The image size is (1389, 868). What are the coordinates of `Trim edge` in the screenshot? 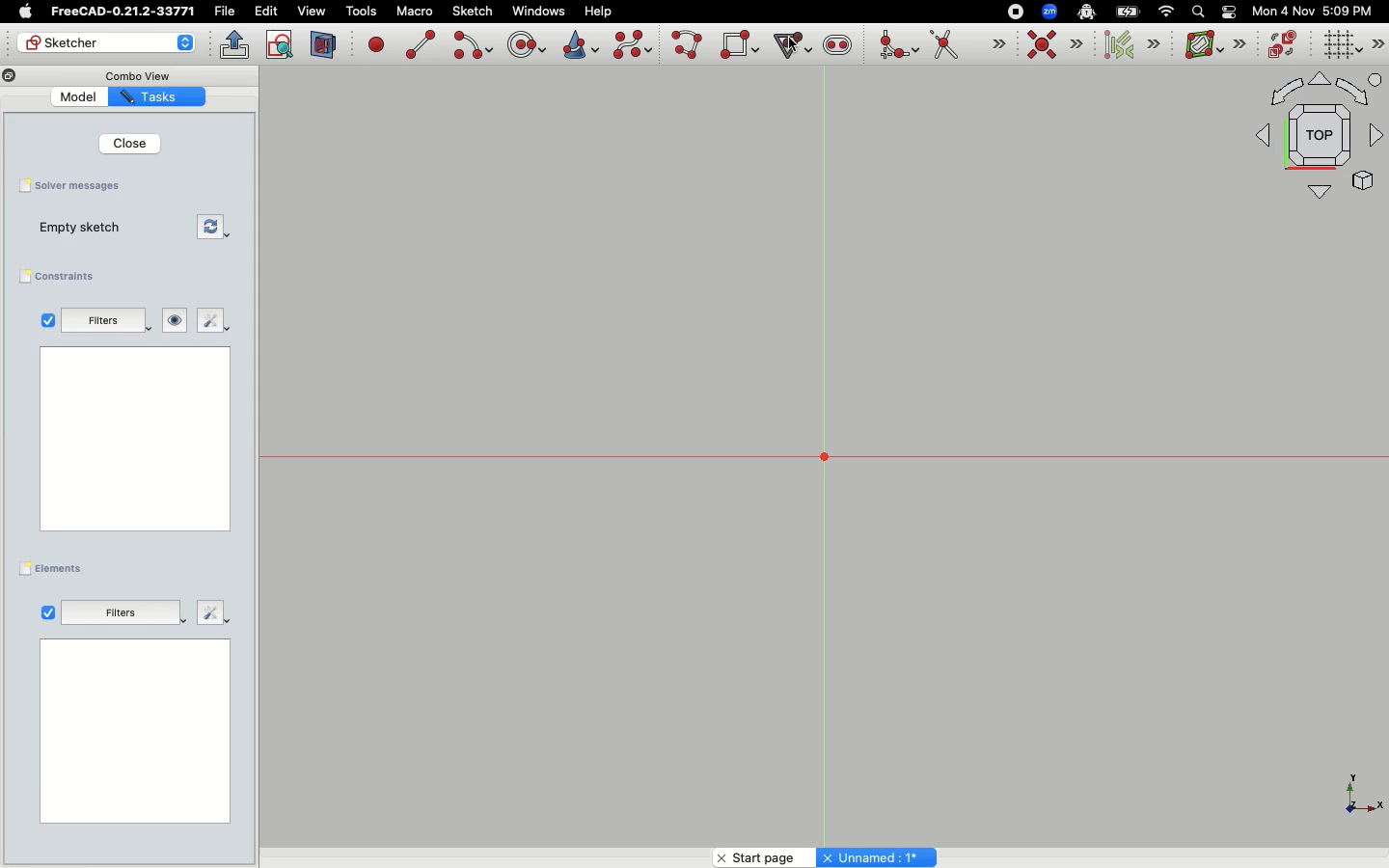 It's located at (967, 46).